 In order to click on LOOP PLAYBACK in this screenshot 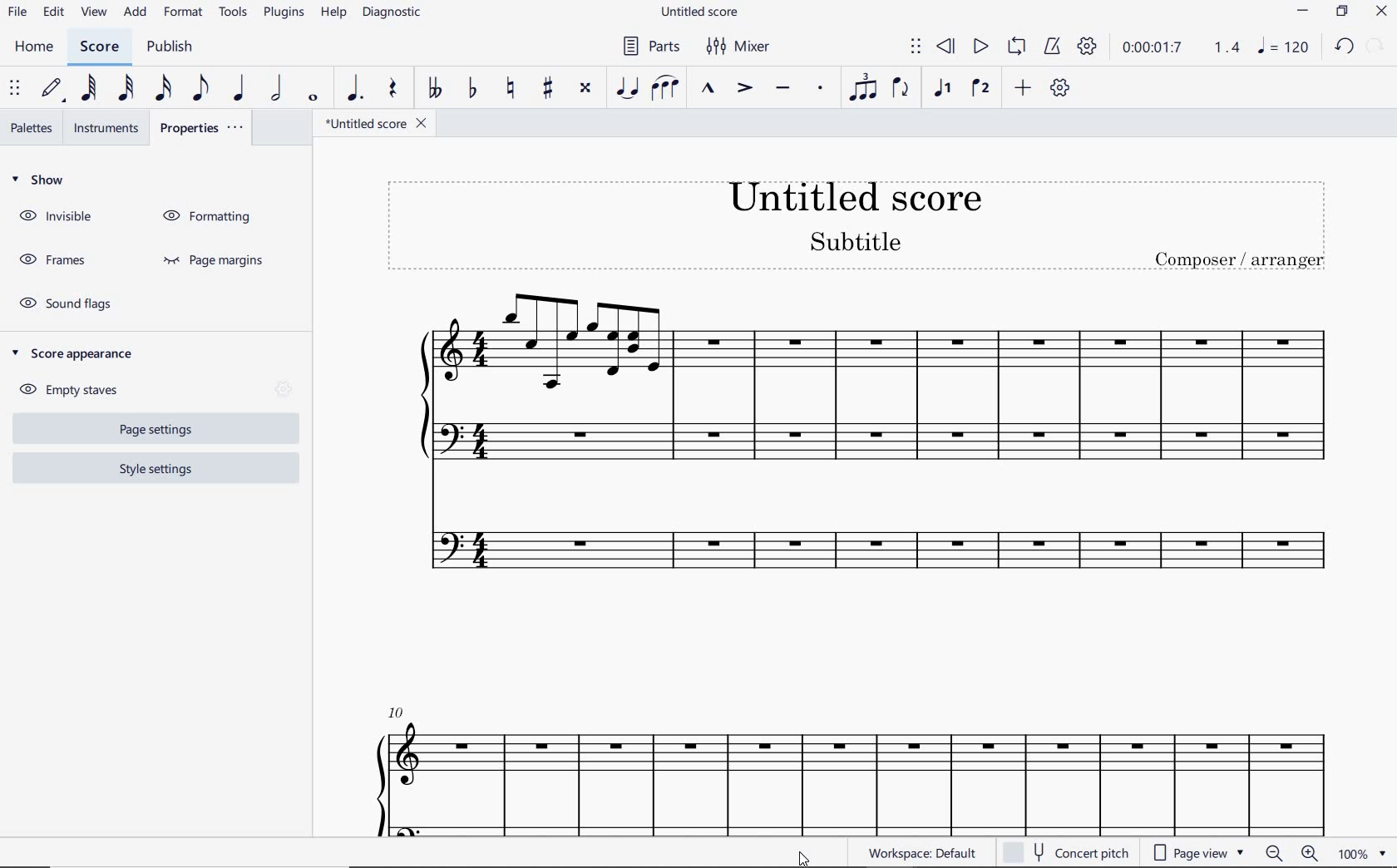, I will do `click(1016, 48)`.